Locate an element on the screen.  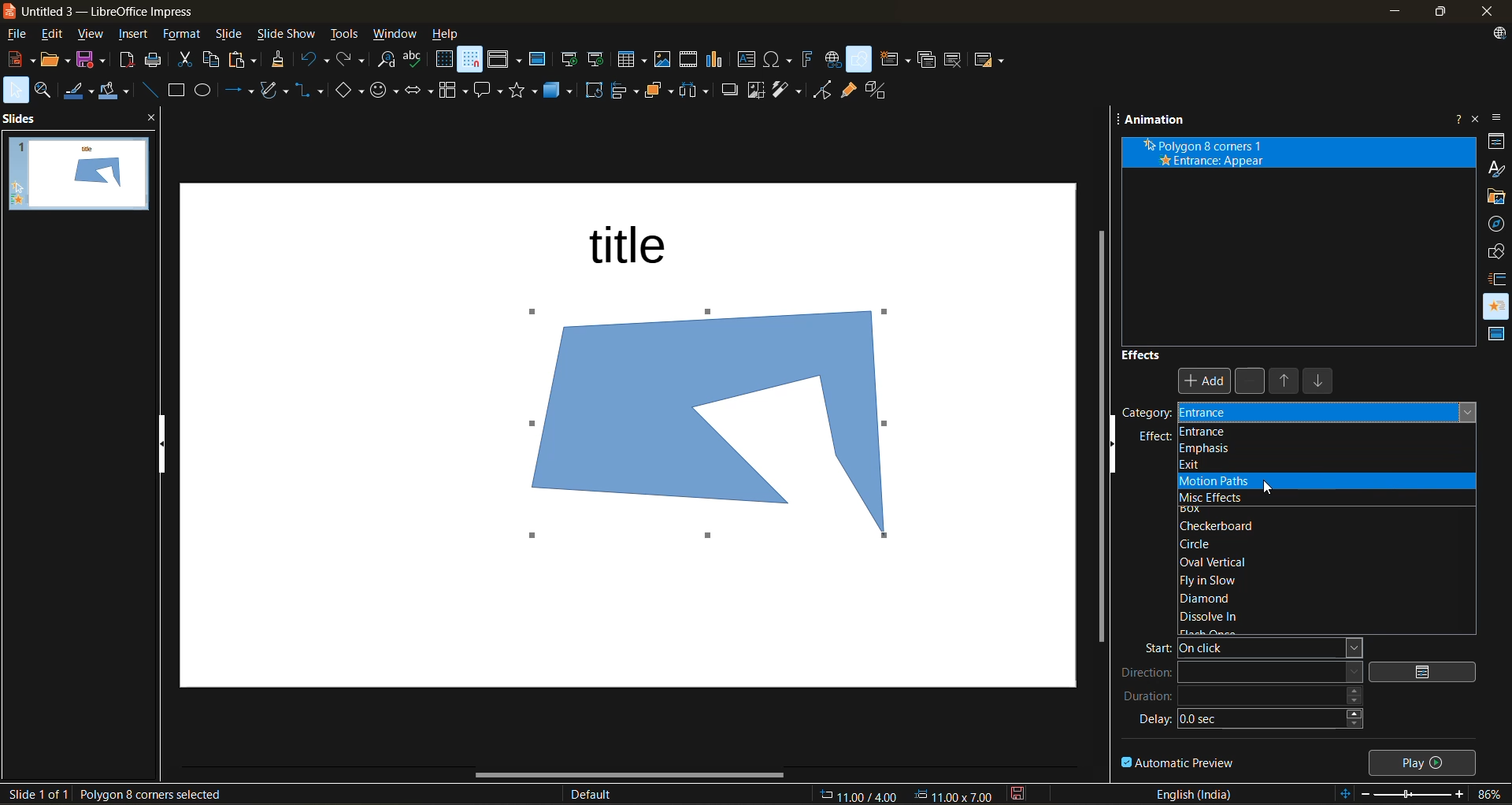
align objects is located at coordinates (623, 91).